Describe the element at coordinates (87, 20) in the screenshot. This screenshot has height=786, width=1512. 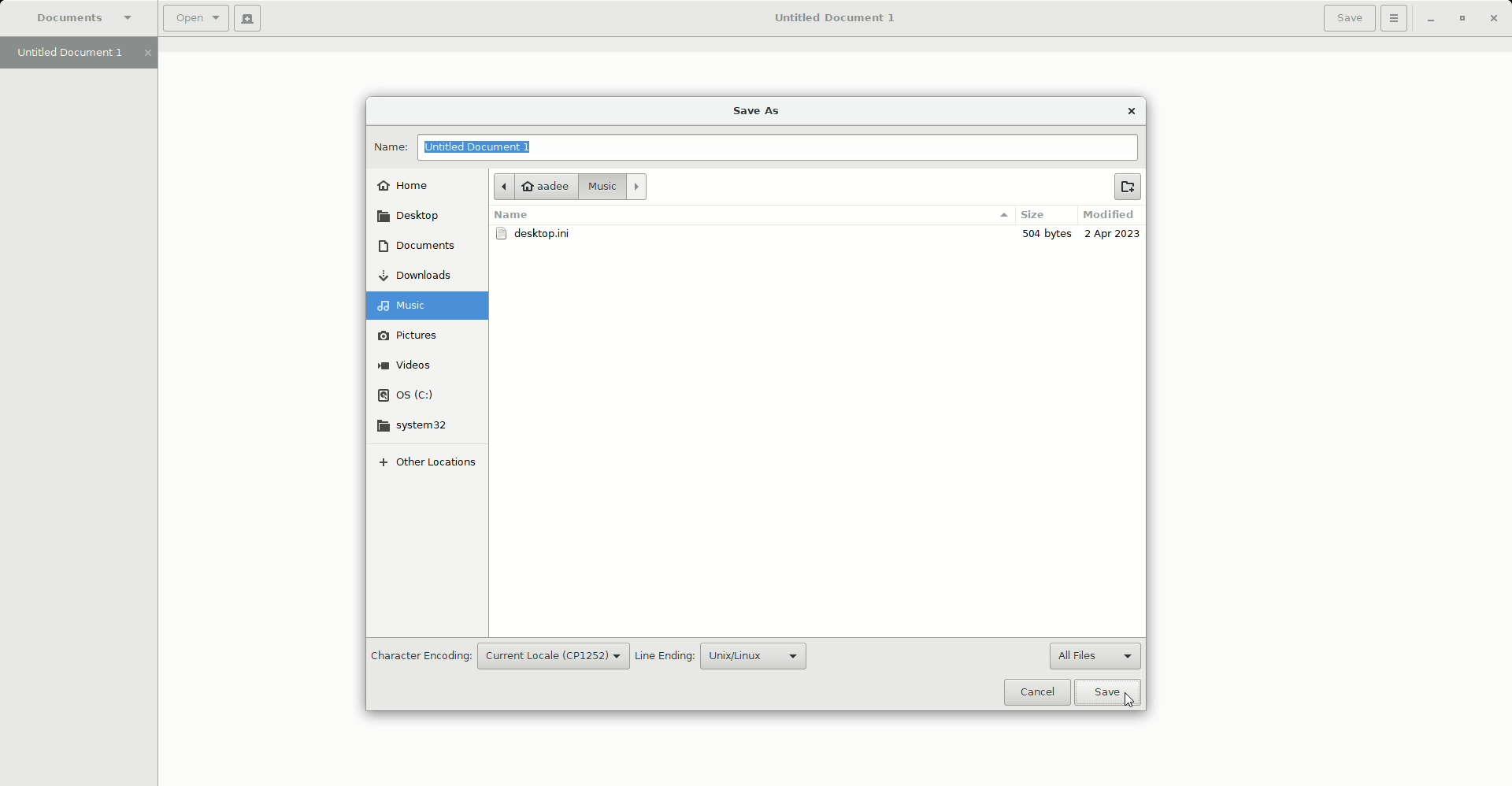
I see `Documents` at that location.